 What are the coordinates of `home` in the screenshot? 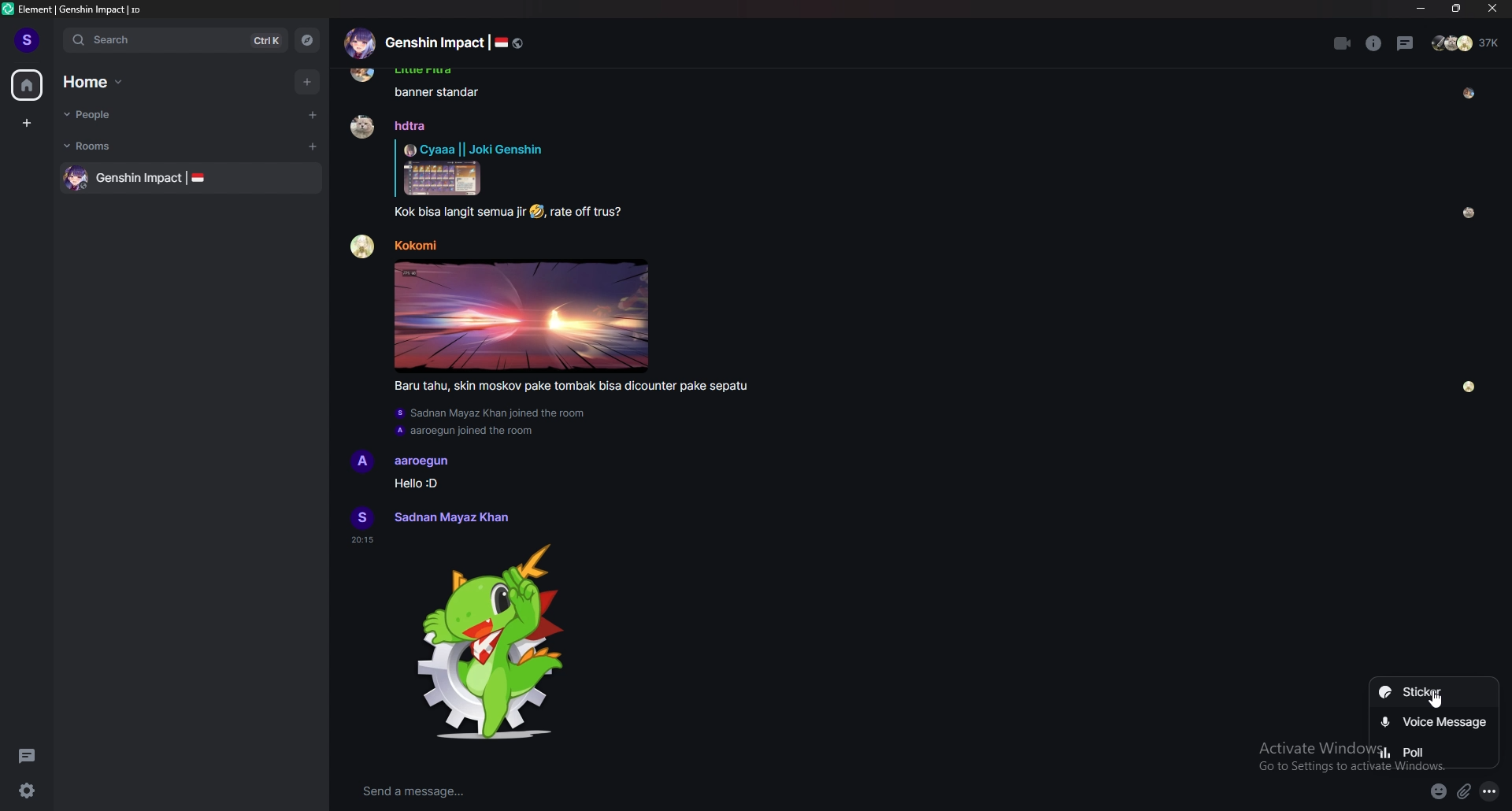 It's located at (27, 86).